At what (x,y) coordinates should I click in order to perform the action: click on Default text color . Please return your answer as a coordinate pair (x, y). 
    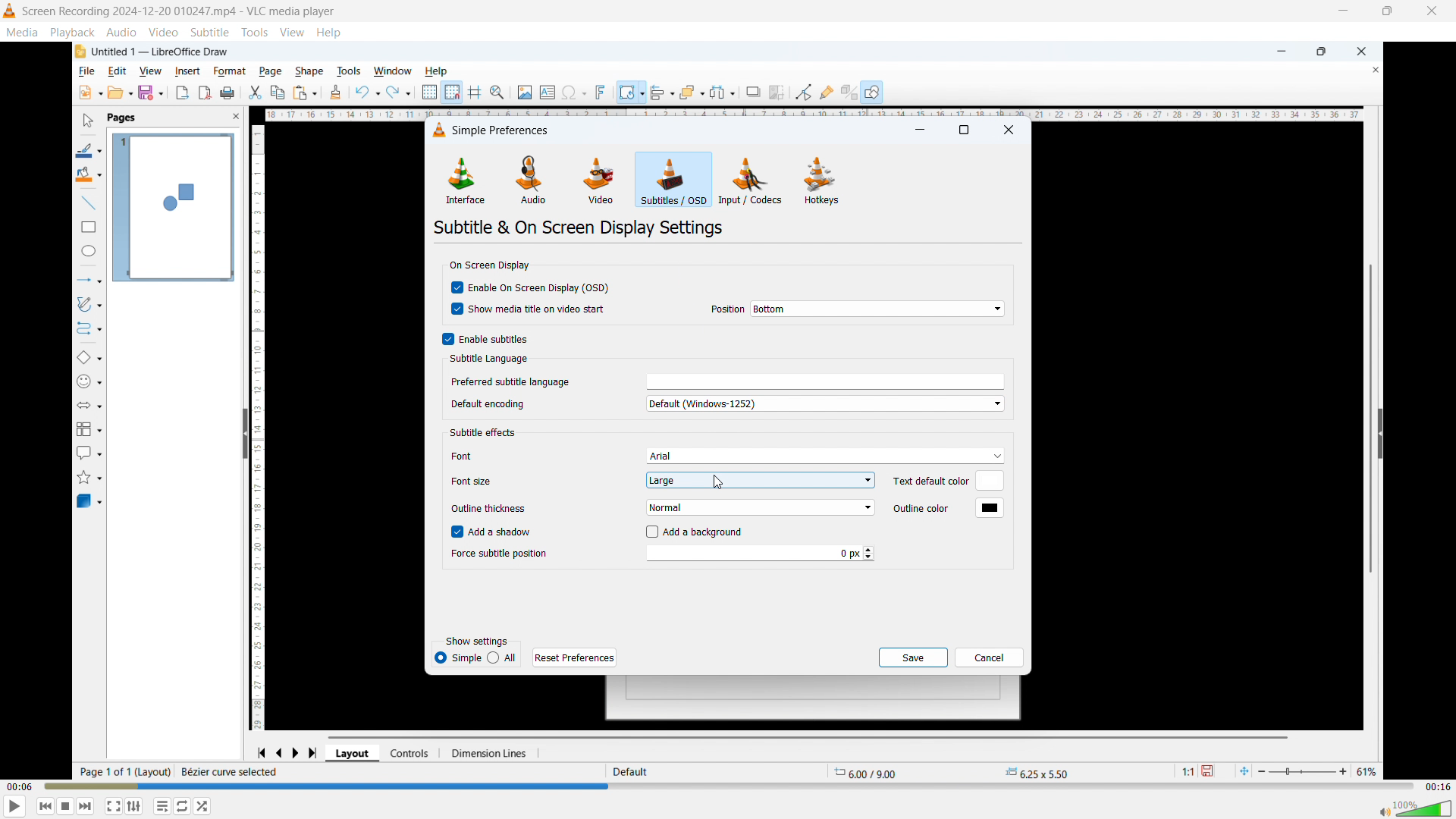
    Looking at the image, I should click on (990, 481).